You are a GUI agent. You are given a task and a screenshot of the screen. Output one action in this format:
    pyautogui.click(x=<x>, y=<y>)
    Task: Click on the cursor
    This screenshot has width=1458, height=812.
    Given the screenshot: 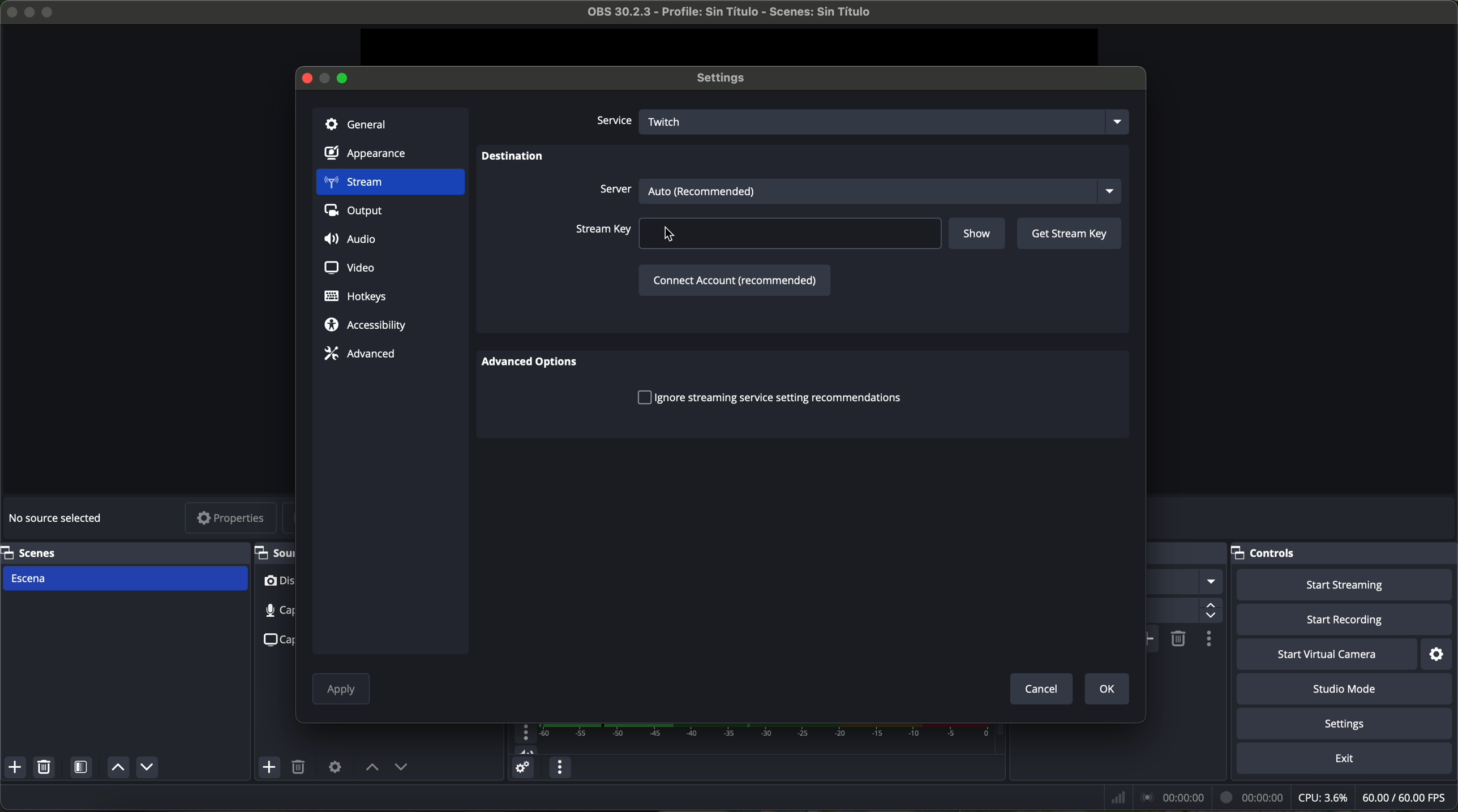 What is the action you would take?
    pyautogui.click(x=677, y=235)
    